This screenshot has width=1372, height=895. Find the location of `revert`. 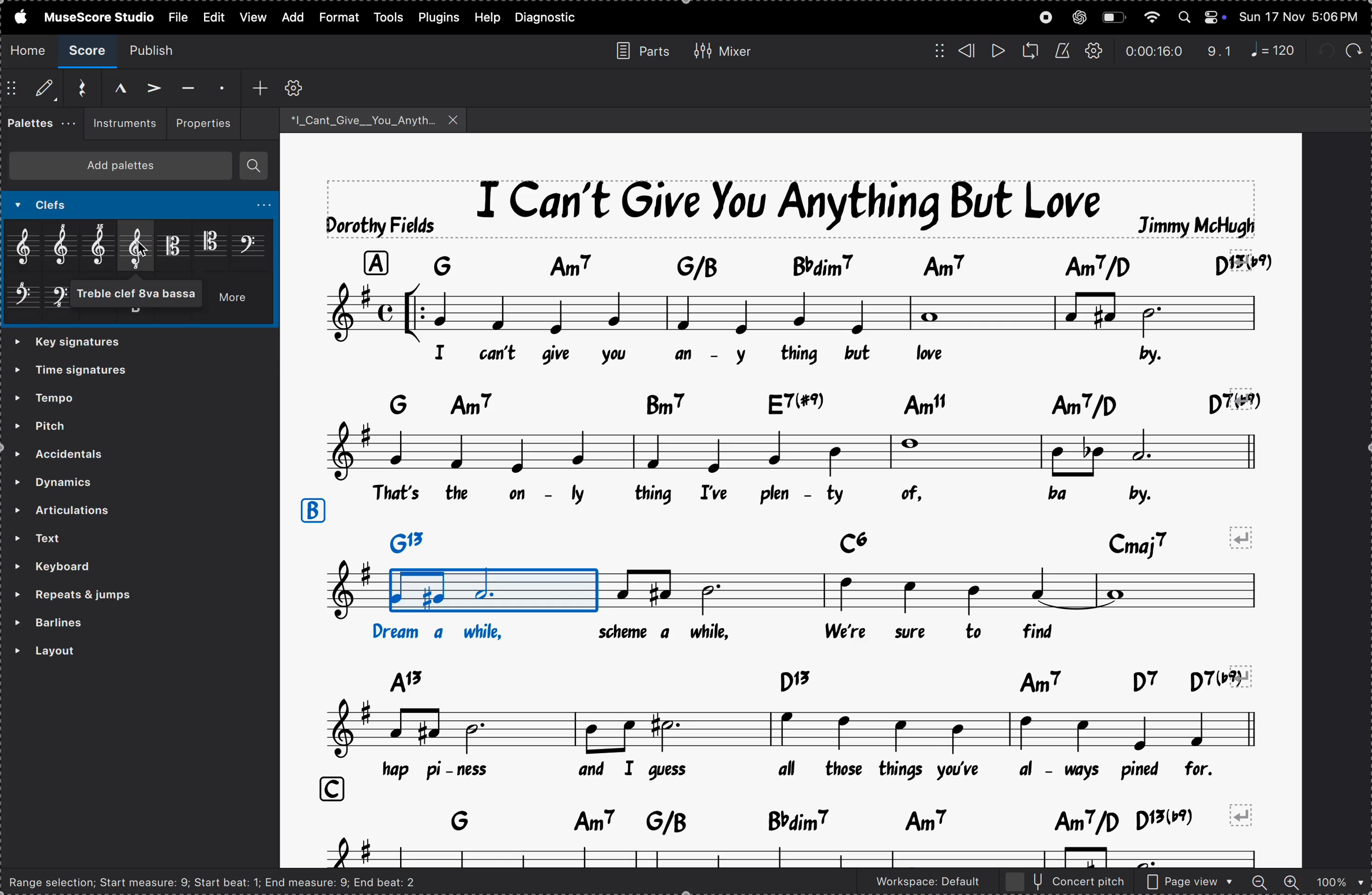

revert is located at coordinates (1245, 814).